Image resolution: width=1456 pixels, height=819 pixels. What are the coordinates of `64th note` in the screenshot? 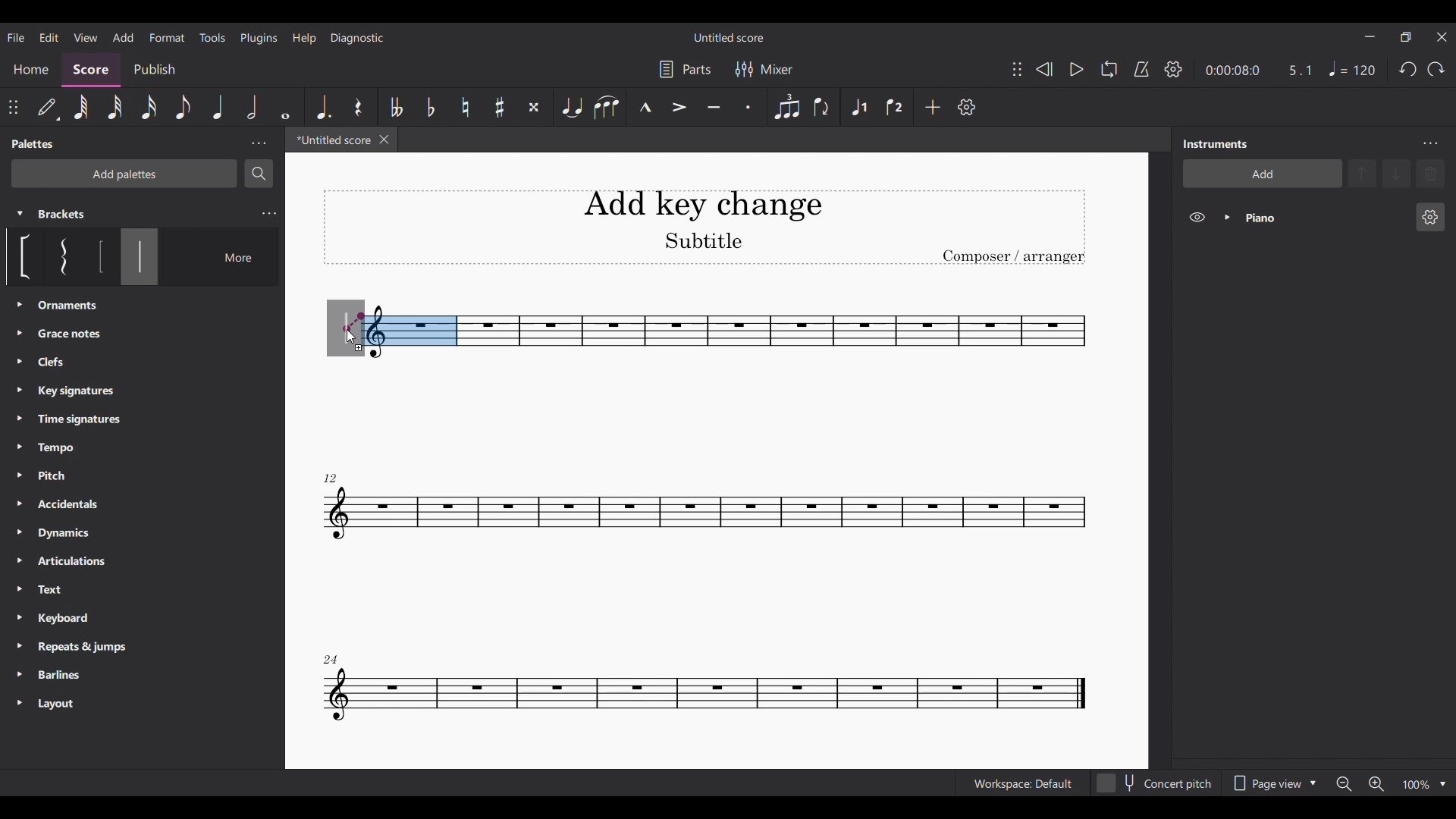 It's located at (82, 108).